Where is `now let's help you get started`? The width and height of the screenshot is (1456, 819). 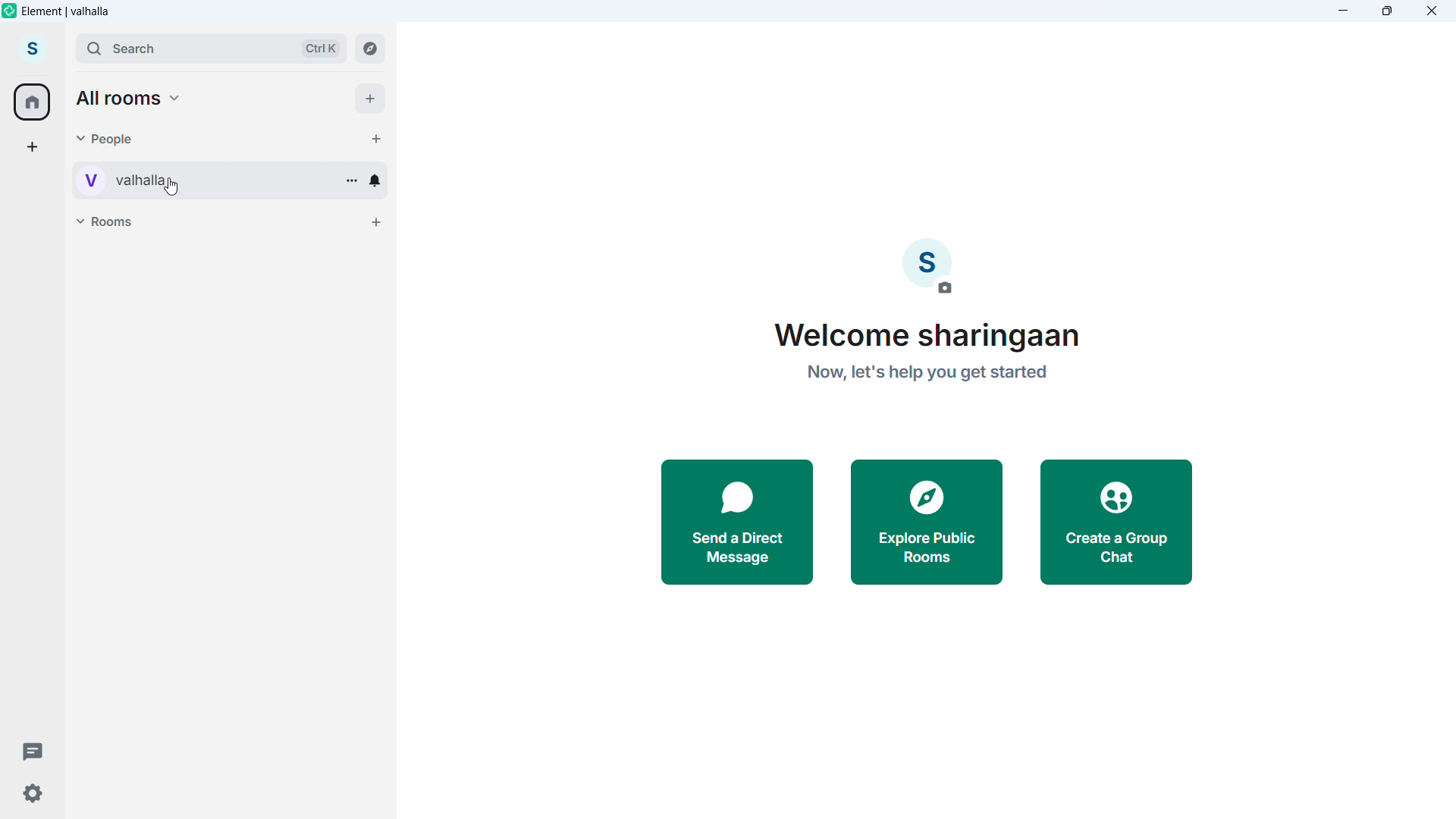 now let's help you get started is located at coordinates (948, 381).